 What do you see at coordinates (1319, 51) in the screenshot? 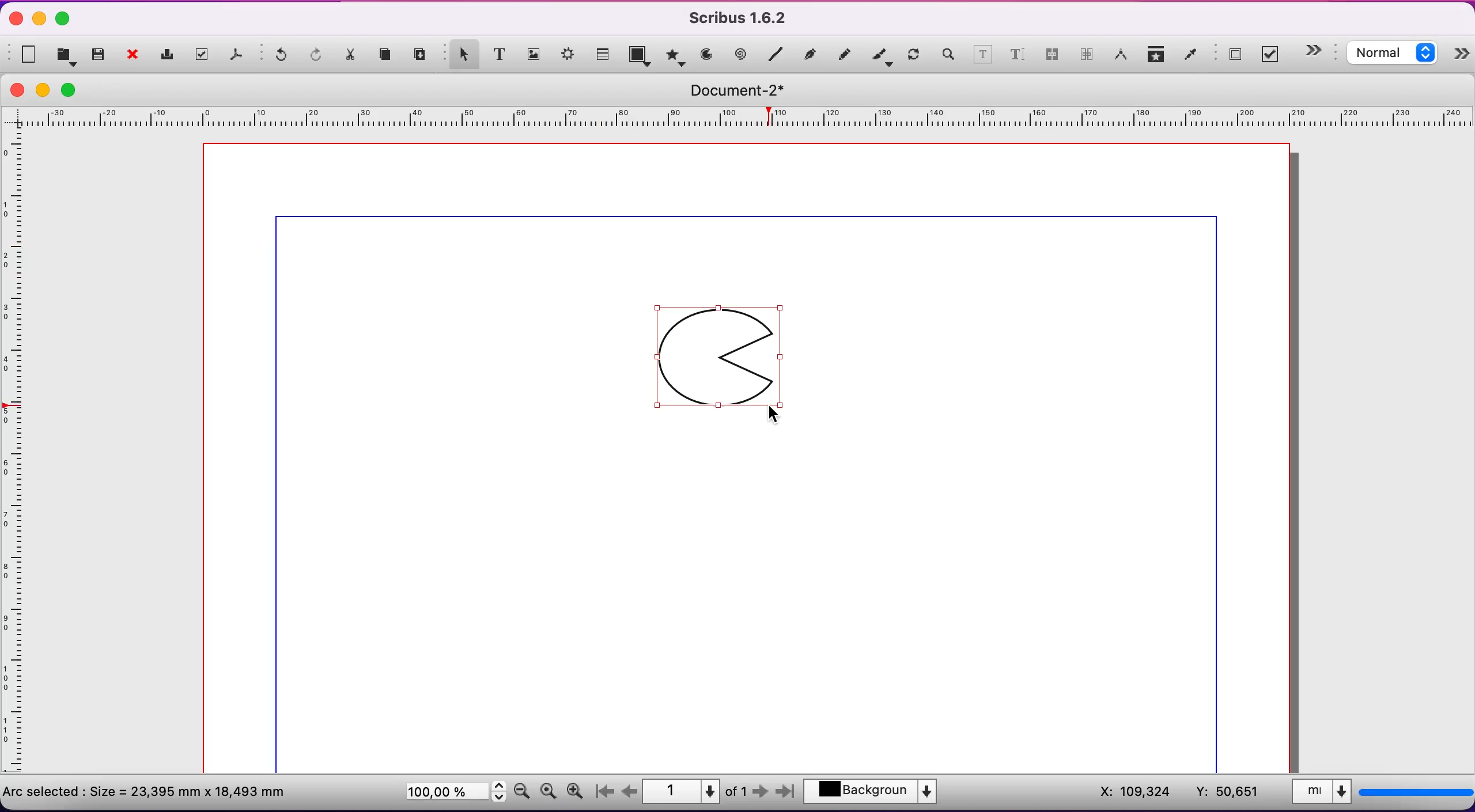
I see `hide/show panel` at bounding box center [1319, 51].